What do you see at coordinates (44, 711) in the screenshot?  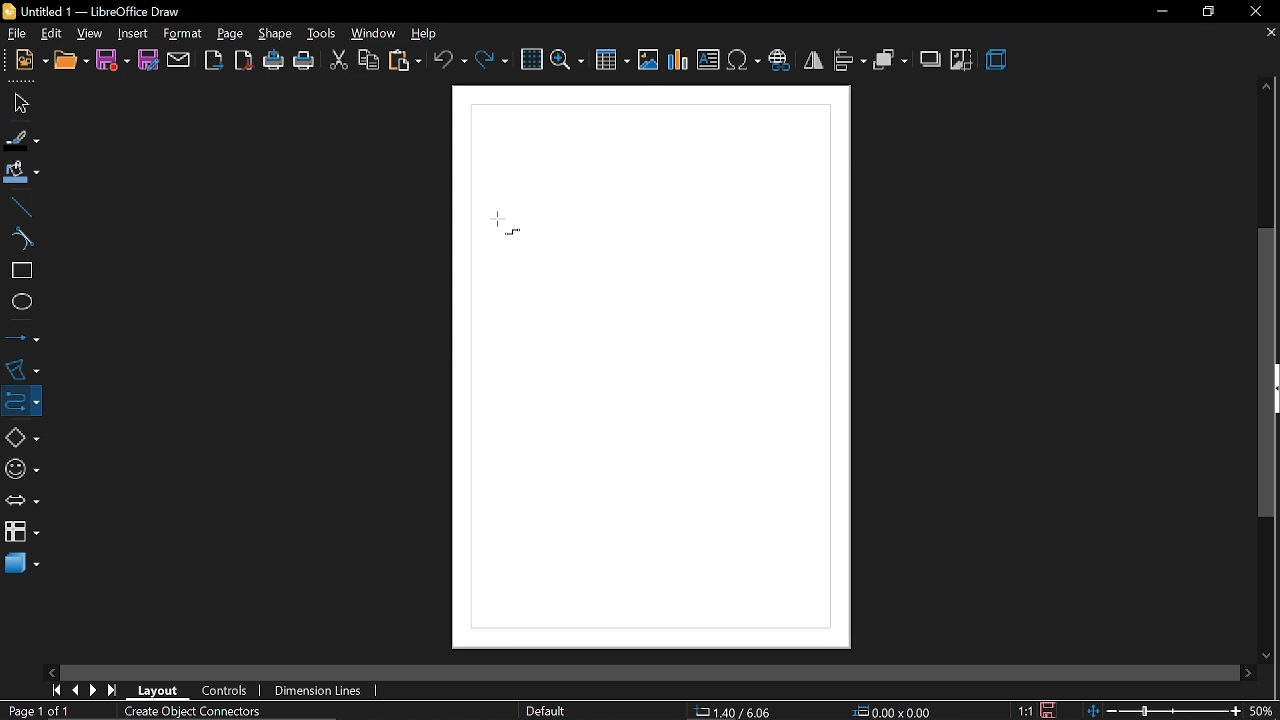 I see `Page 1 of 1` at bounding box center [44, 711].